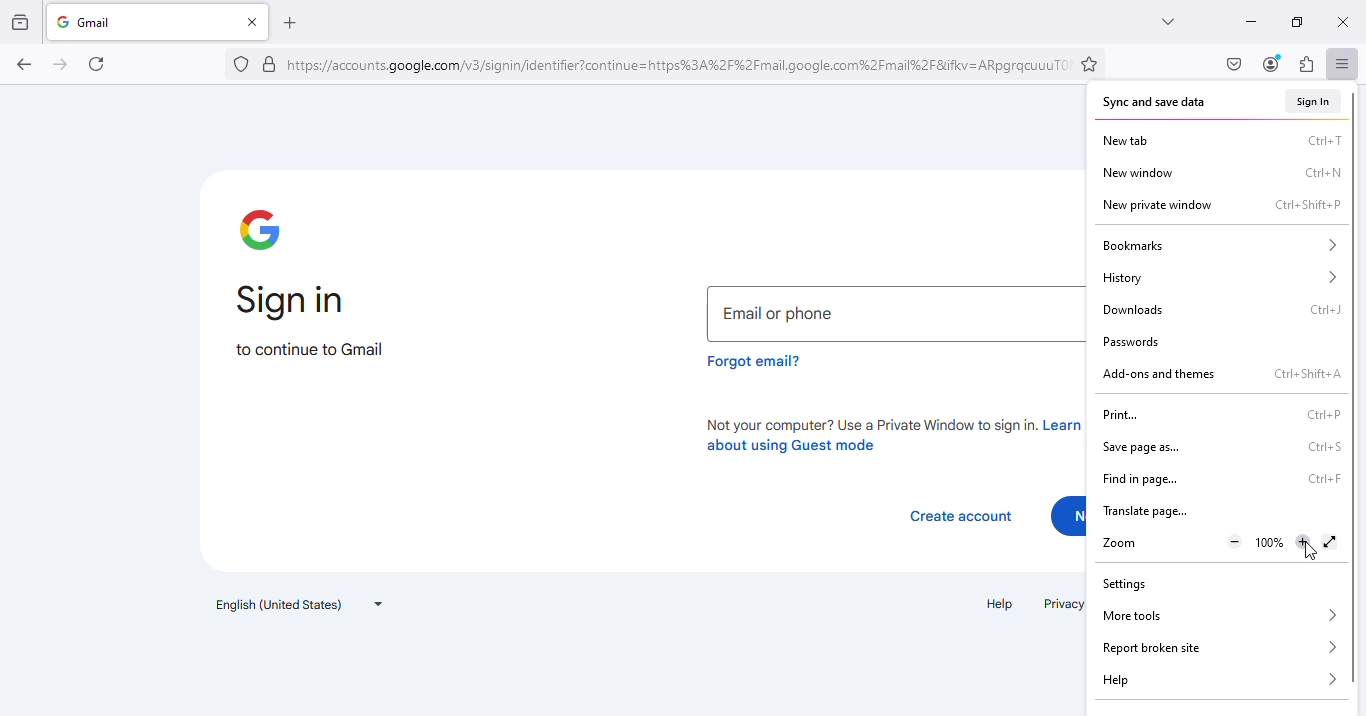  Describe the element at coordinates (1067, 517) in the screenshot. I see `next` at that location.